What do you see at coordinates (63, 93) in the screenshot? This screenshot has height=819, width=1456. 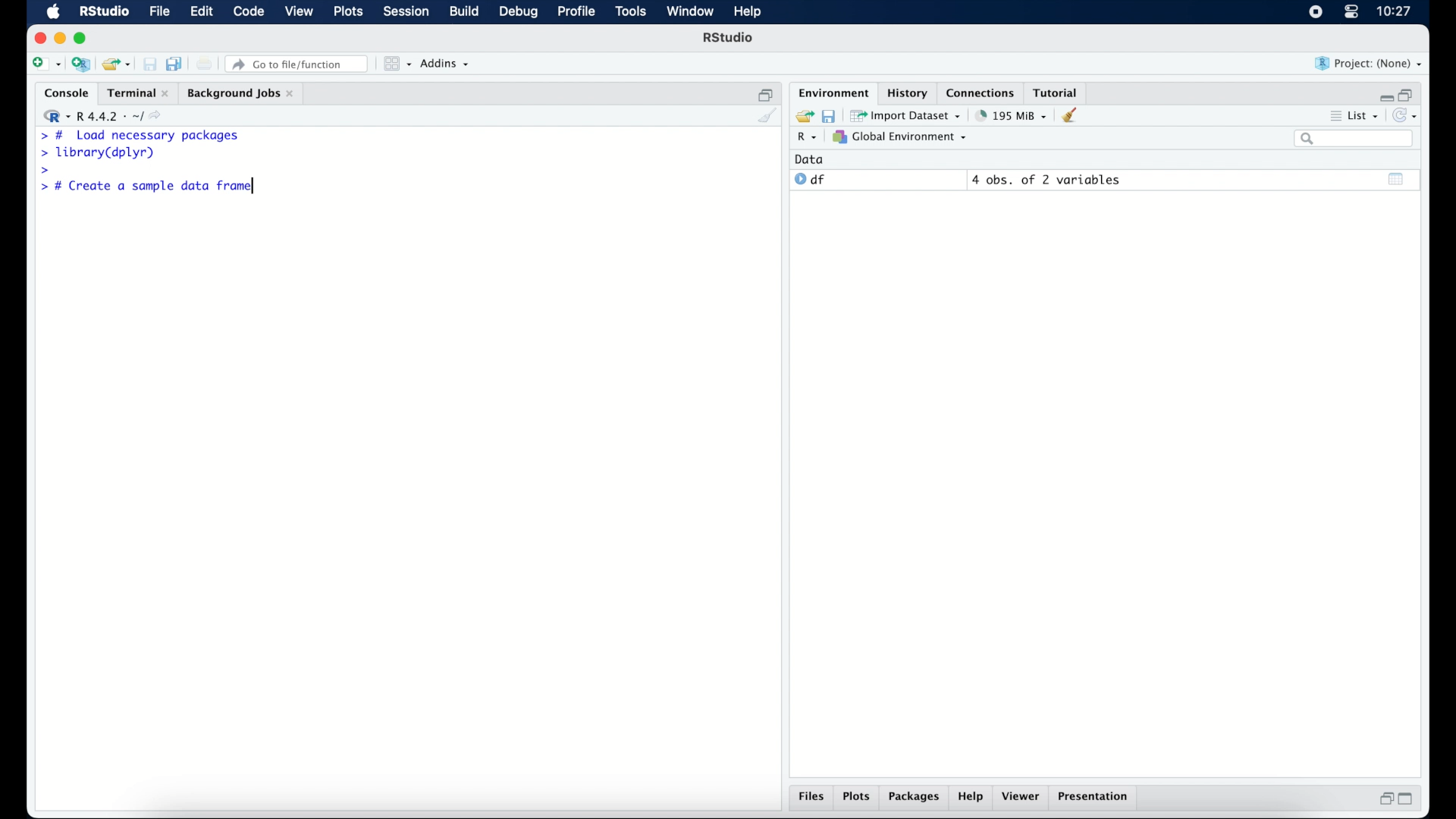 I see `console` at bounding box center [63, 93].